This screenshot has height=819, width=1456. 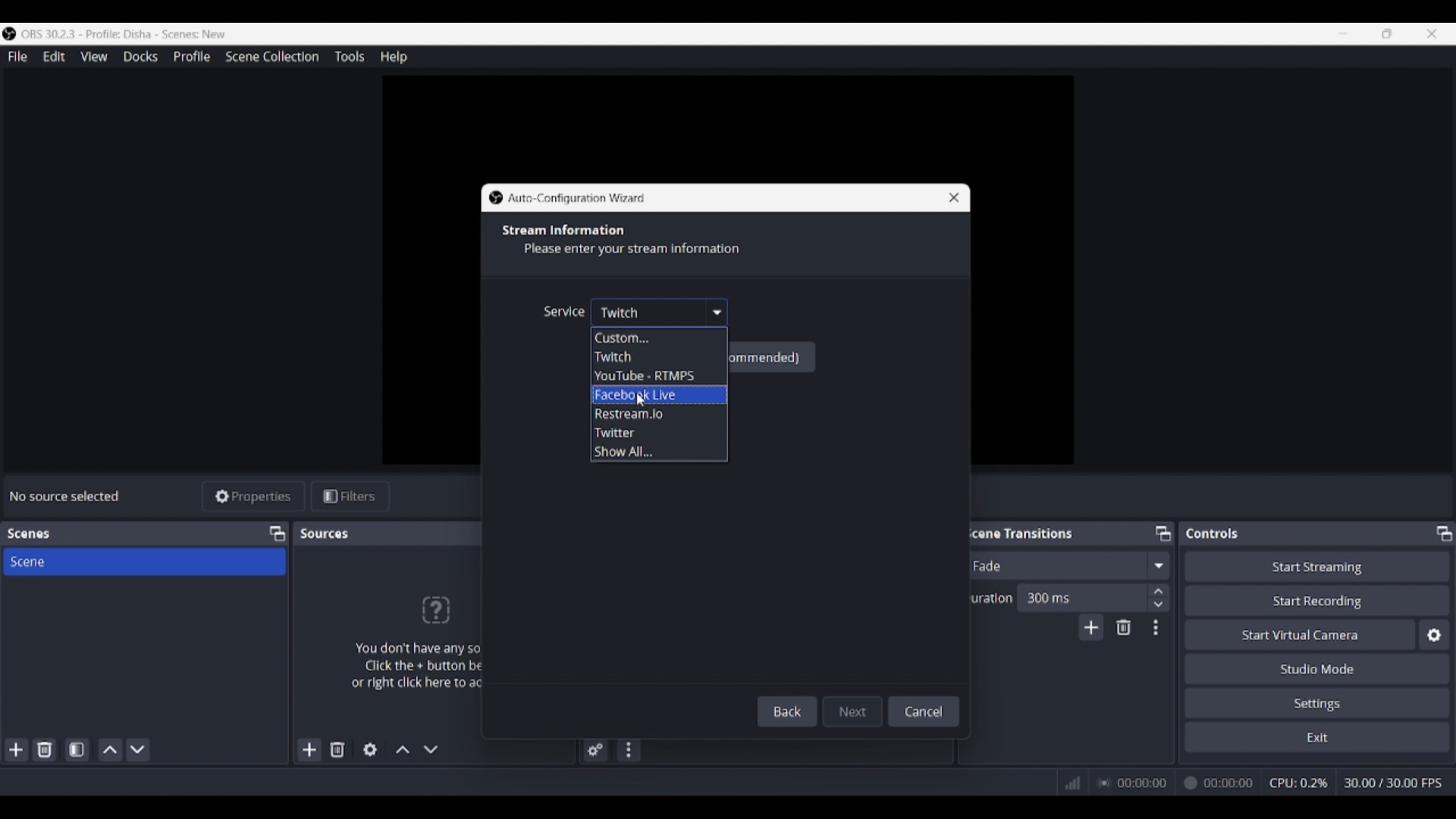 What do you see at coordinates (1432, 33) in the screenshot?
I see `Close interface` at bounding box center [1432, 33].